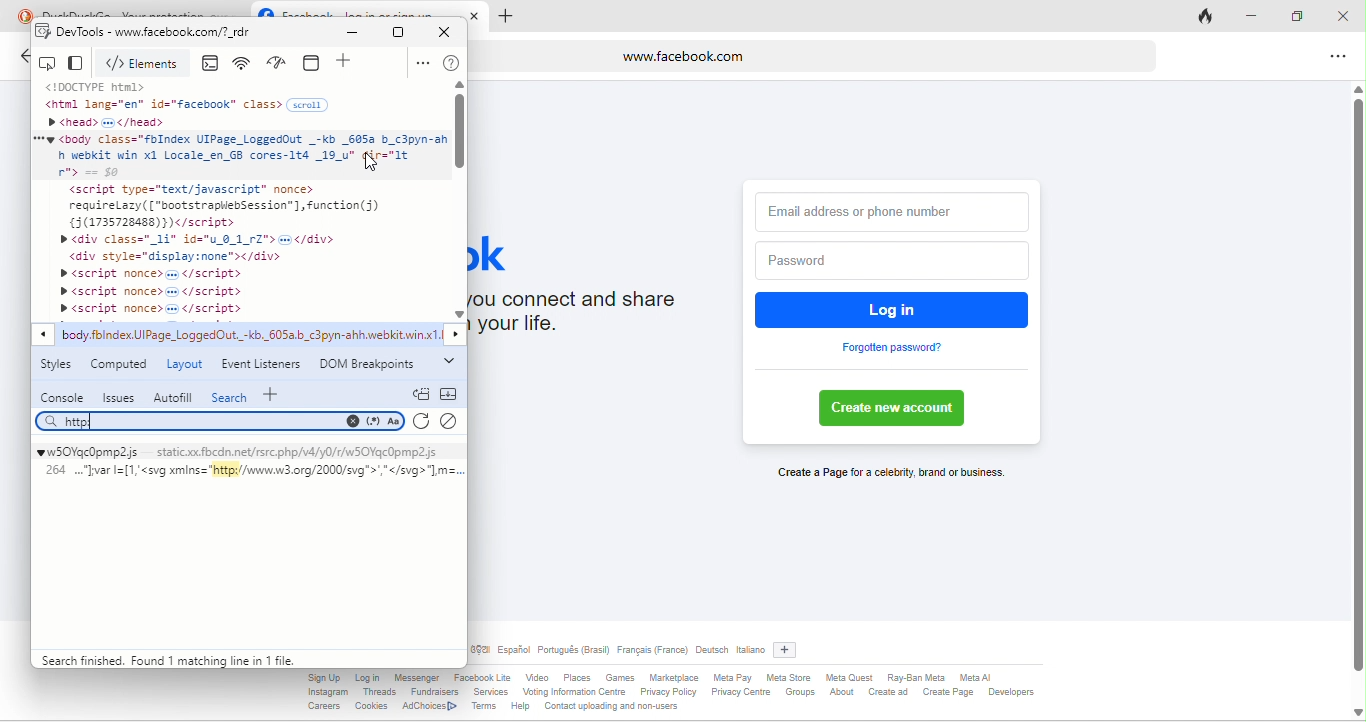  Describe the element at coordinates (421, 393) in the screenshot. I see `doc quick view` at that location.